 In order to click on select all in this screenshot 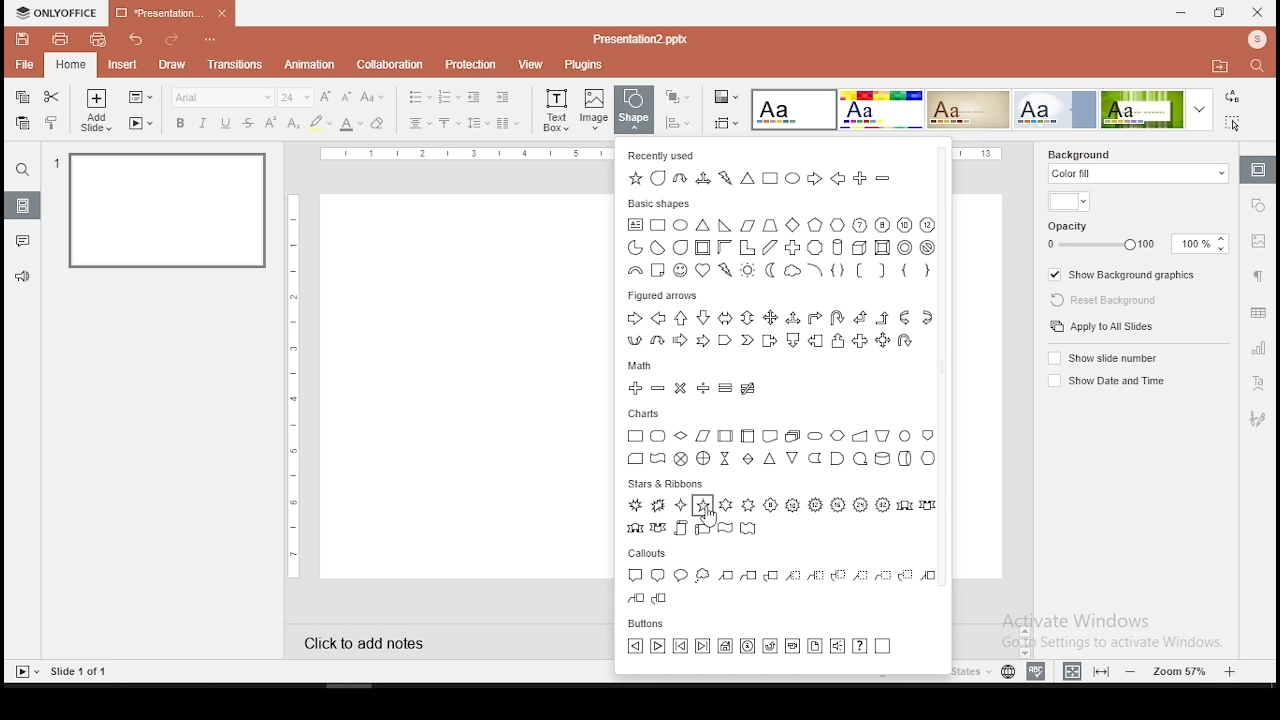, I will do `click(1236, 122)`.